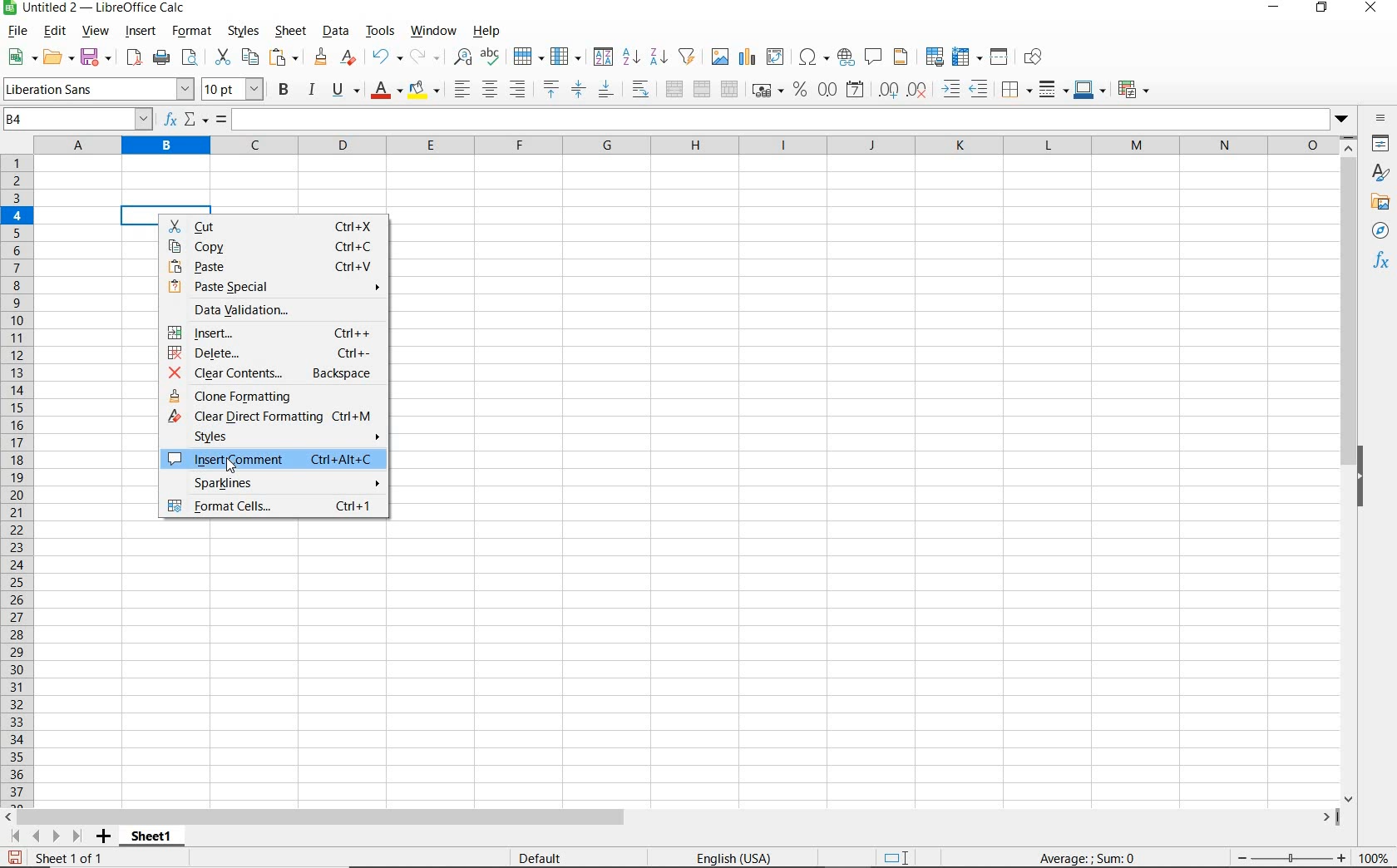 The image size is (1397, 868). What do you see at coordinates (1366, 476) in the screenshot?
I see `hide` at bounding box center [1366, 476].